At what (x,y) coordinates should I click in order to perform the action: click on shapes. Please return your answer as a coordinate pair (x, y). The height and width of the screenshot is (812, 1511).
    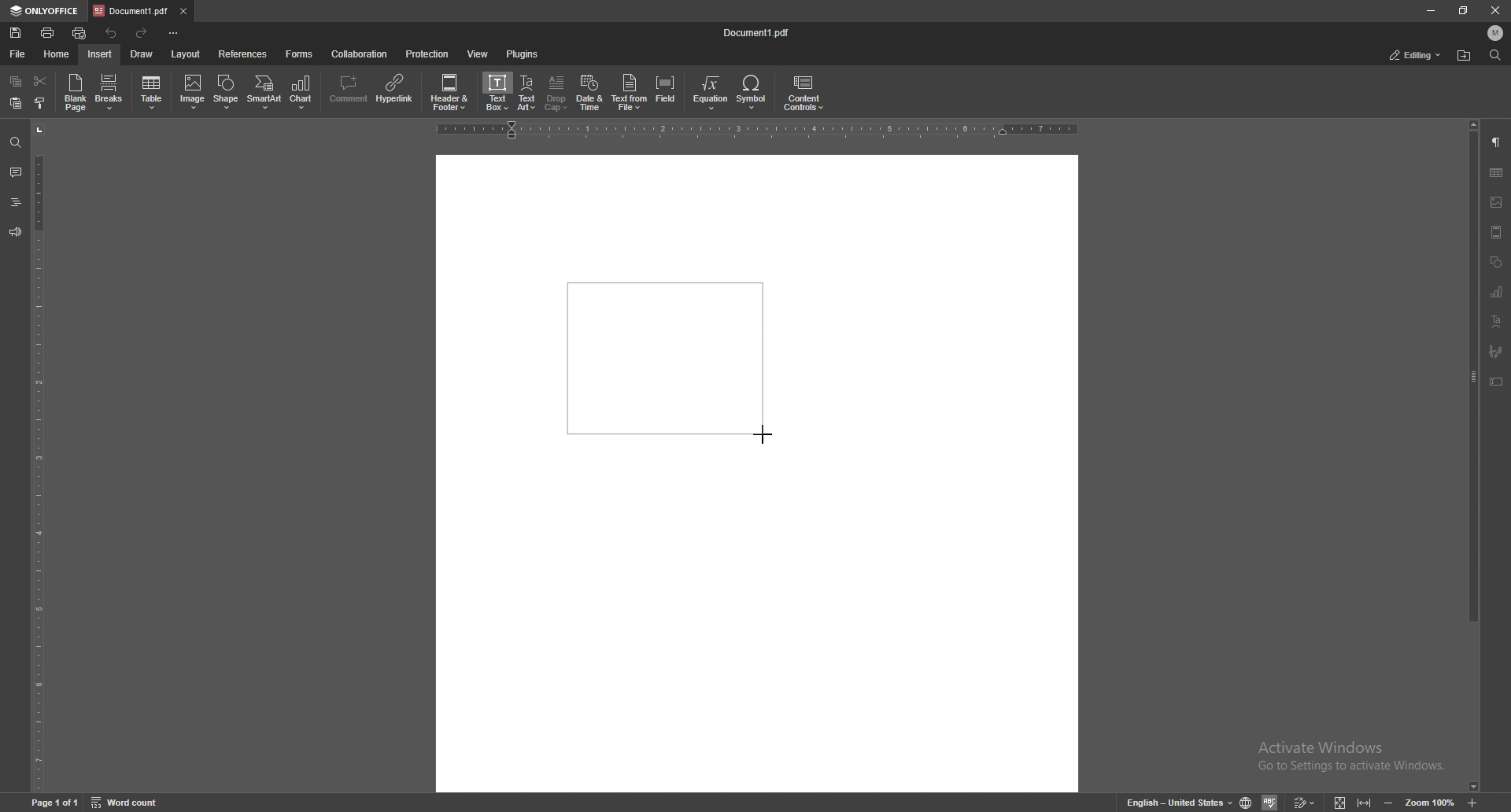
    Looking at the image, I should click on (1496, 262).